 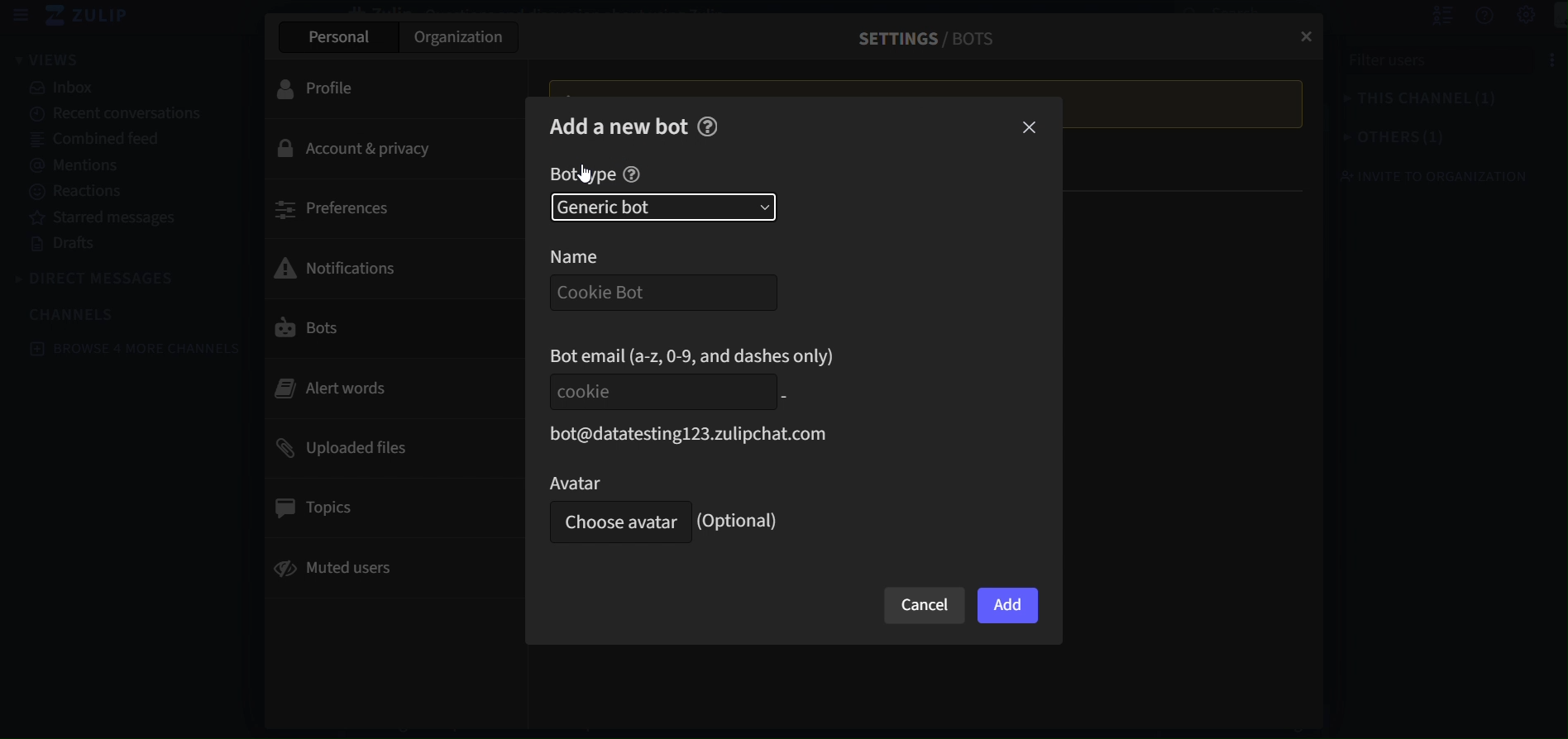 I want to click on close, so click(x=1031, y=129).